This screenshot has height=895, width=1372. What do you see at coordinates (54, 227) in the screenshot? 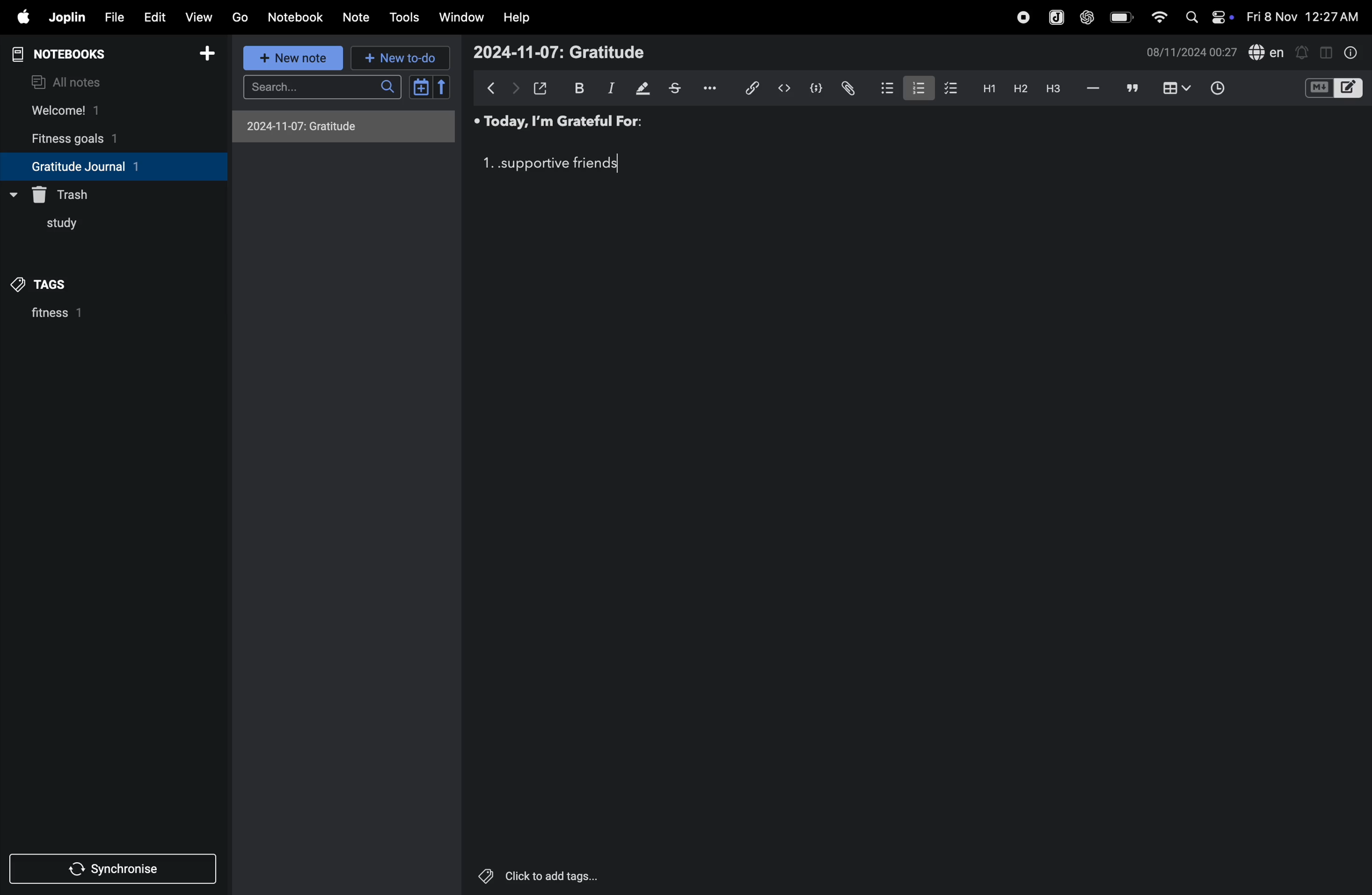
I see `study` at bounding box center [54, 227].